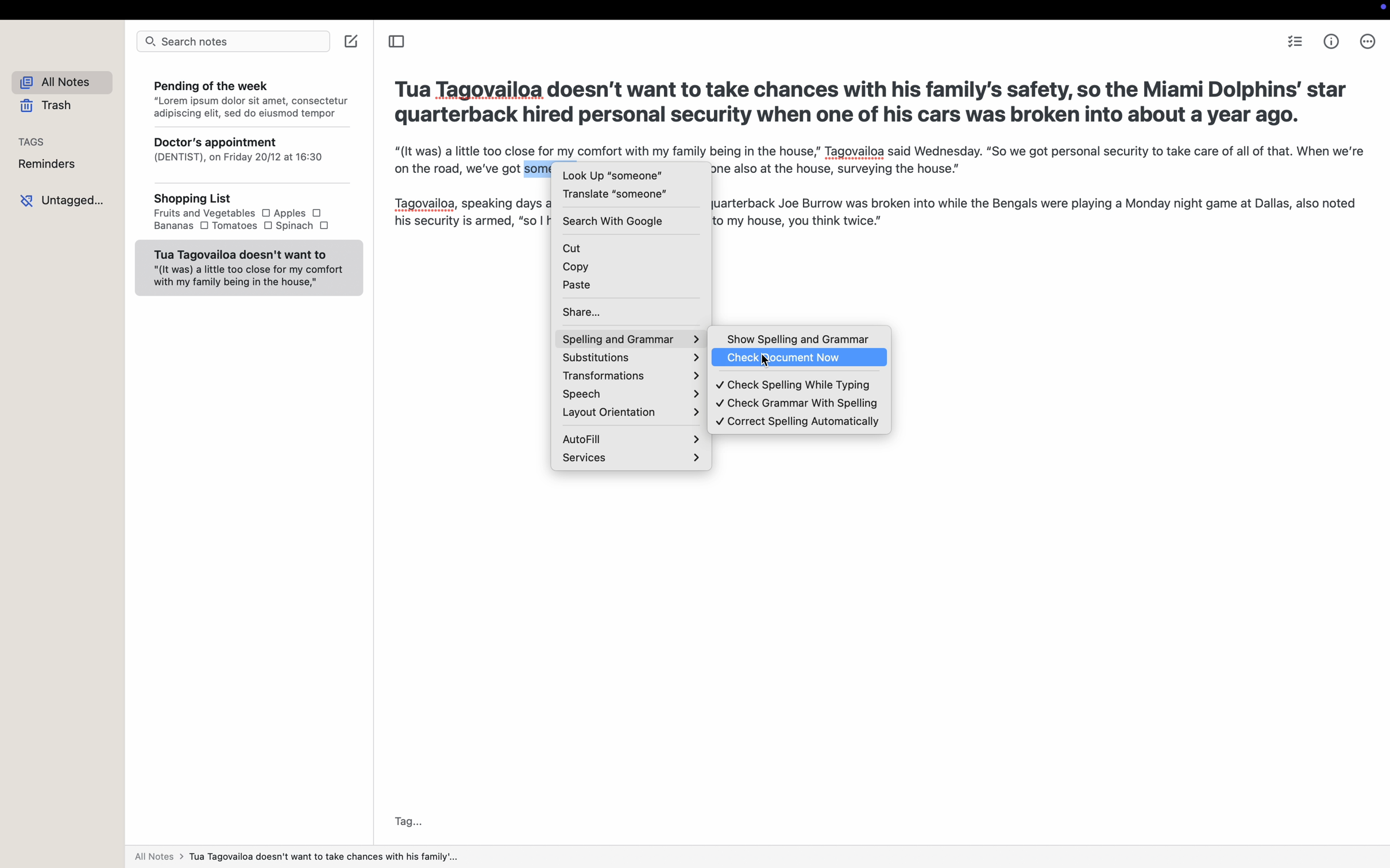 The height and width of the screenshot is (868, 1390). I want to click on speech, so click(628, 394).